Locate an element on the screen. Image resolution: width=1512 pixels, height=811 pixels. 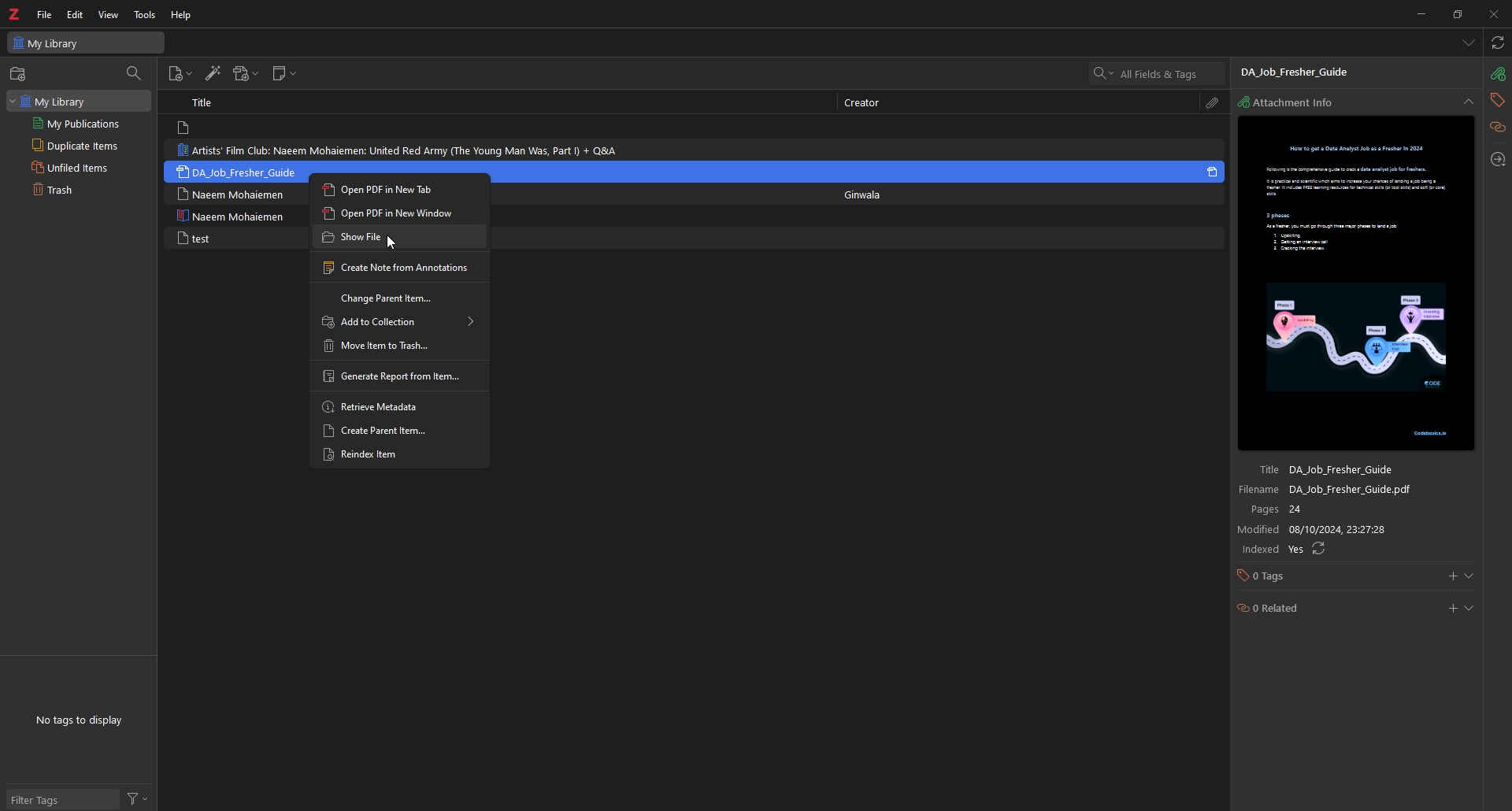
locate is located at coordinates (1496, 160).